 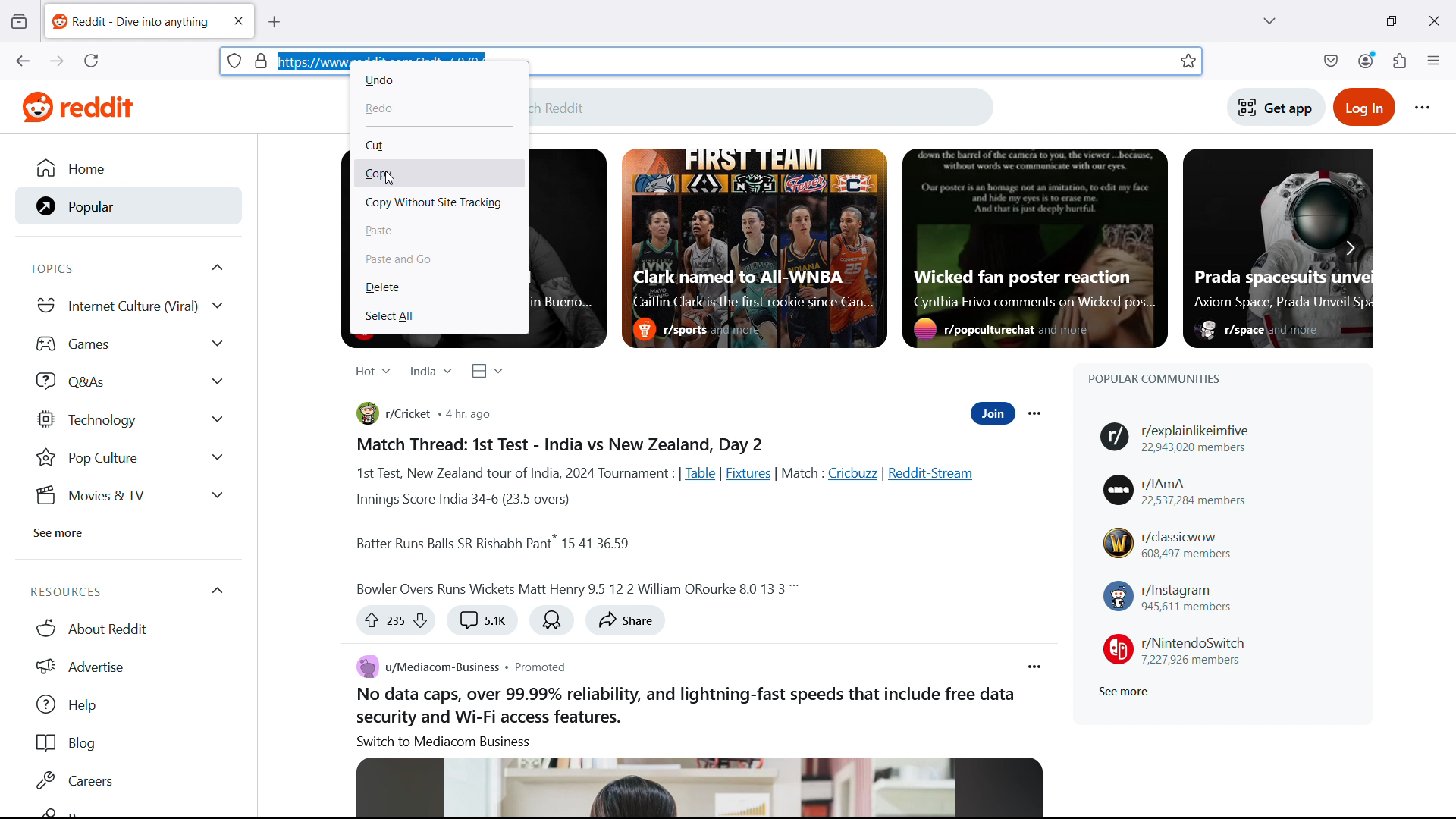 What do you see at coordinates (118, 170) in the screenshot?
I see `Home` at bounding box center [118, 170].